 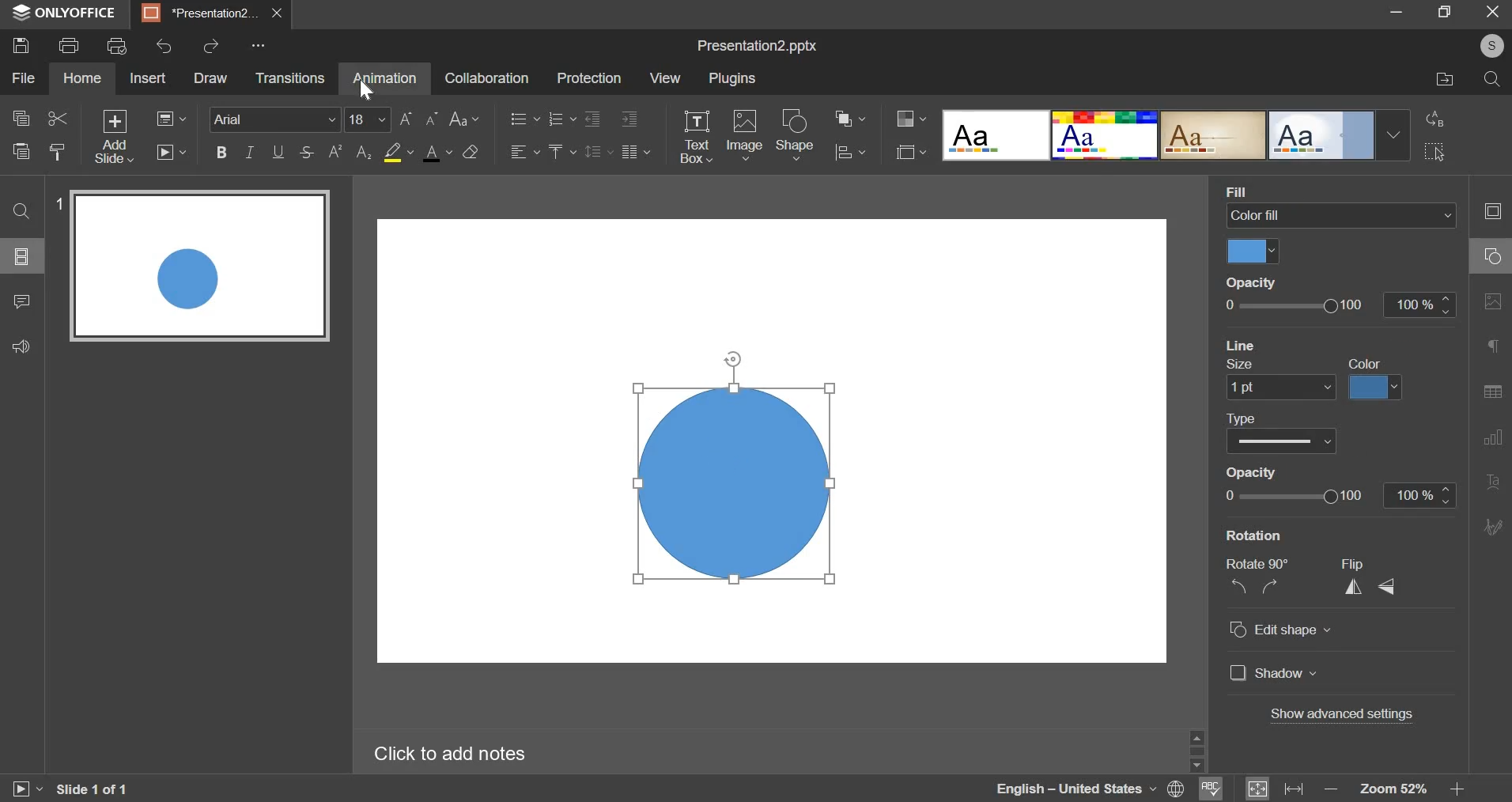 I want to click on , so click(x=277, y=151).